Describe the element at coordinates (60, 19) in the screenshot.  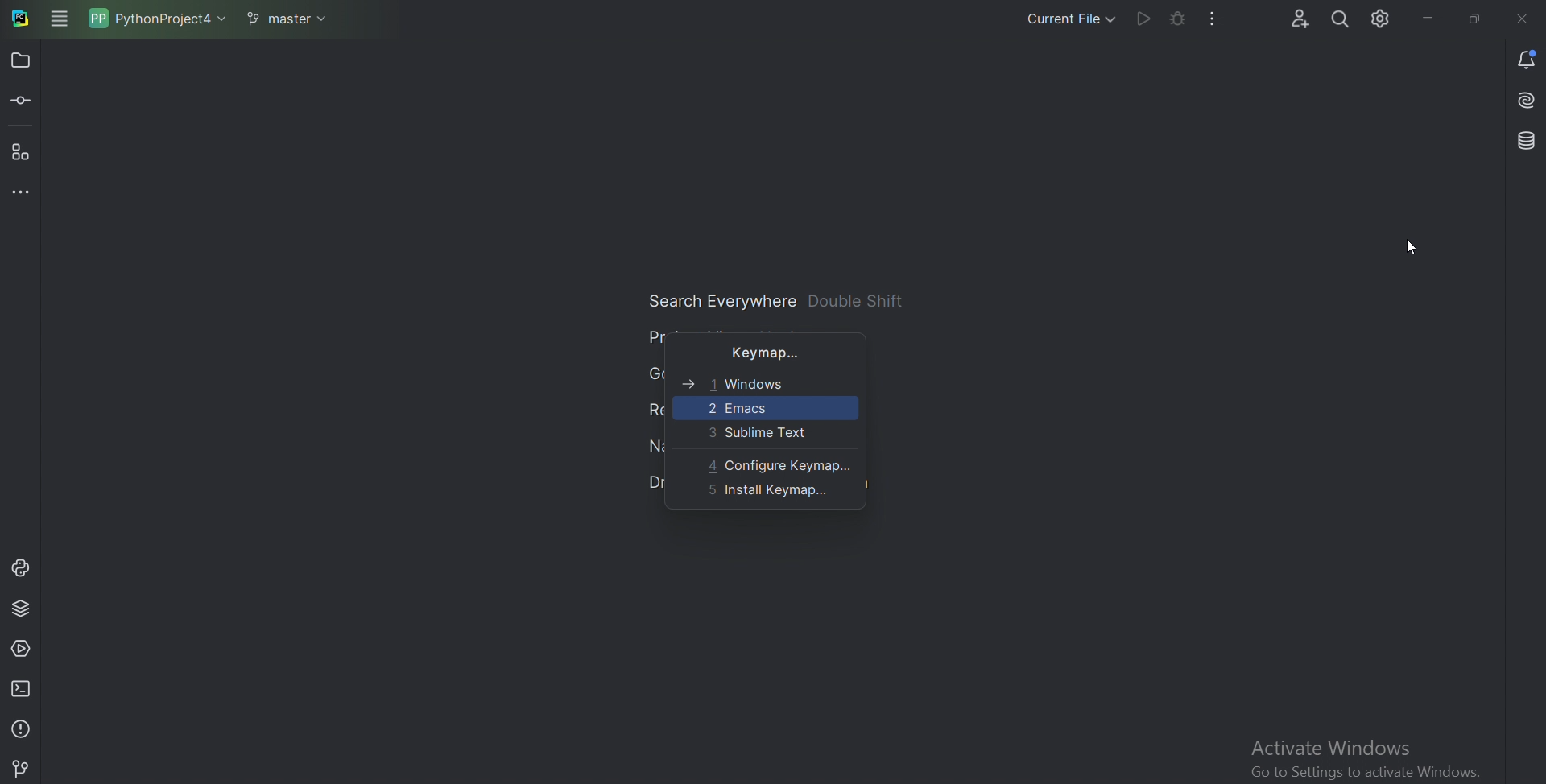
I see `Main menu` at that location.